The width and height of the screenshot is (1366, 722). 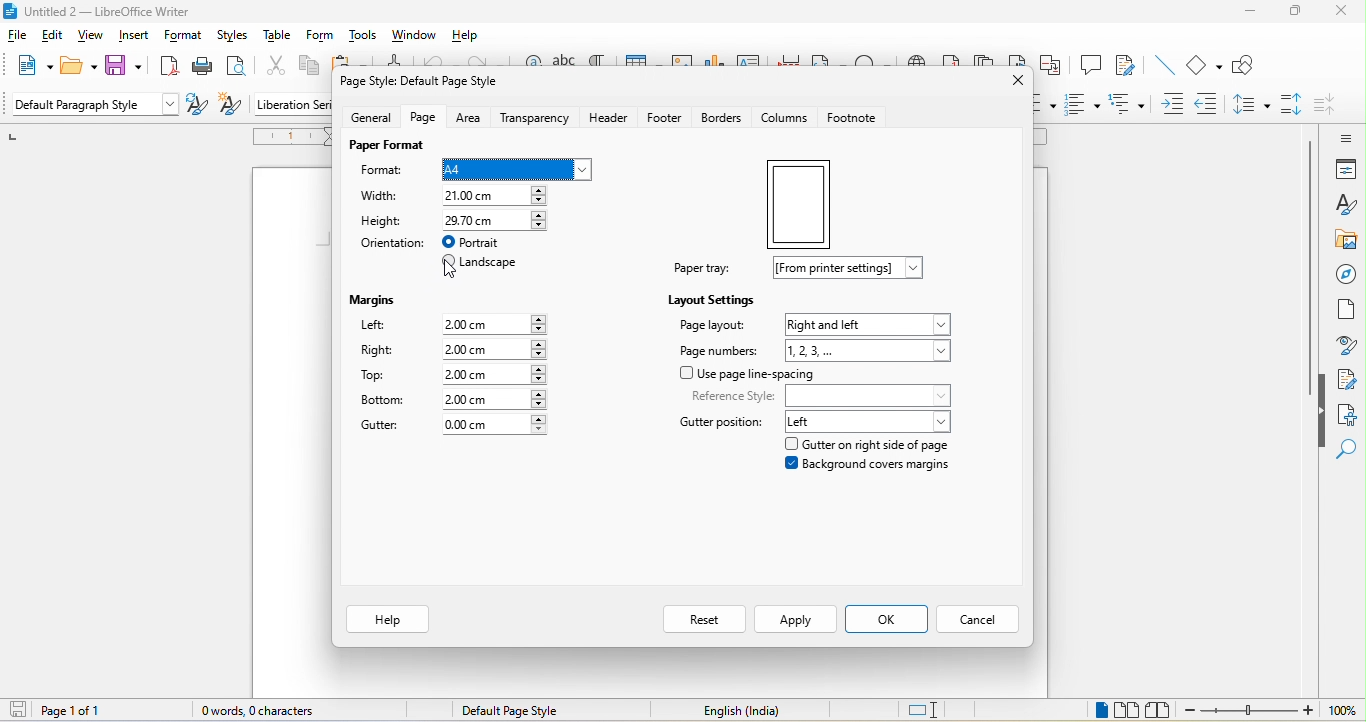 I want to click on outline format, so click(x=1132, y=103).